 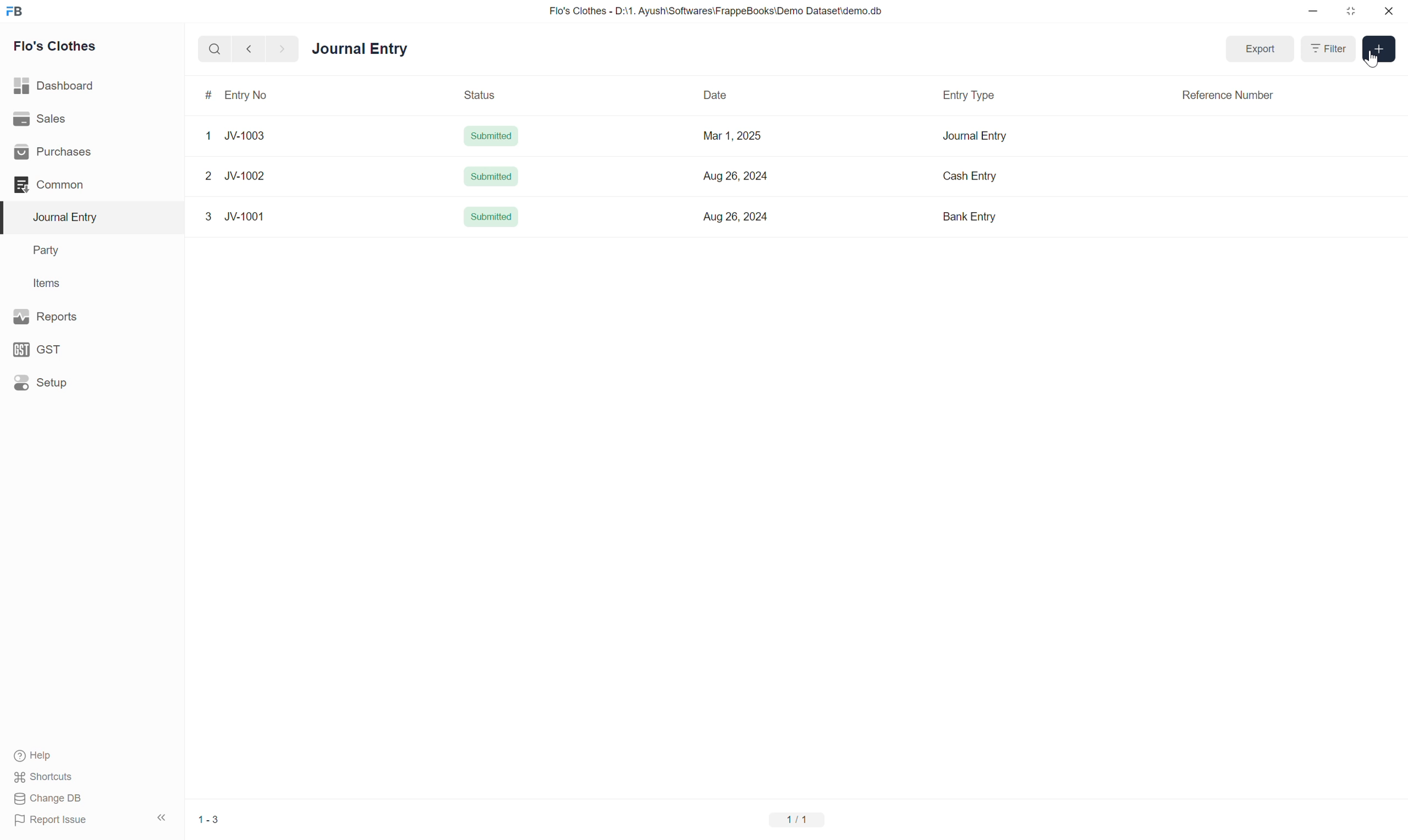 I want to click on Flo's Clothes - D:\1. Ayush\Softwares\FrappeBooks\Demo Dataset\demo.db, so click(x=719, y=10).